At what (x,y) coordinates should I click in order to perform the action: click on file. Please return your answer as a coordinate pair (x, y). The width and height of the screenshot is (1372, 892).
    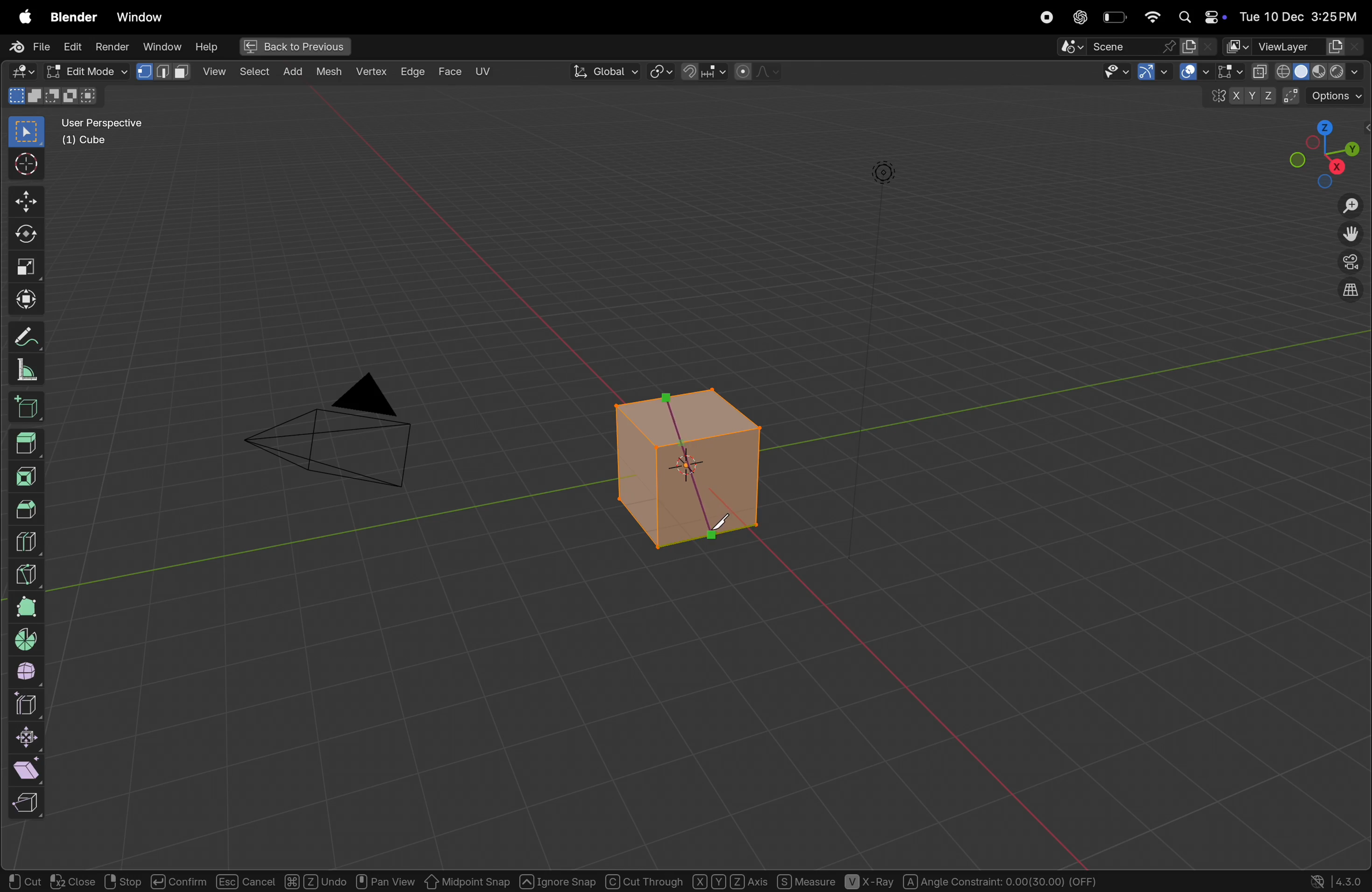
    Looking at the image, I should click on (26, 46).